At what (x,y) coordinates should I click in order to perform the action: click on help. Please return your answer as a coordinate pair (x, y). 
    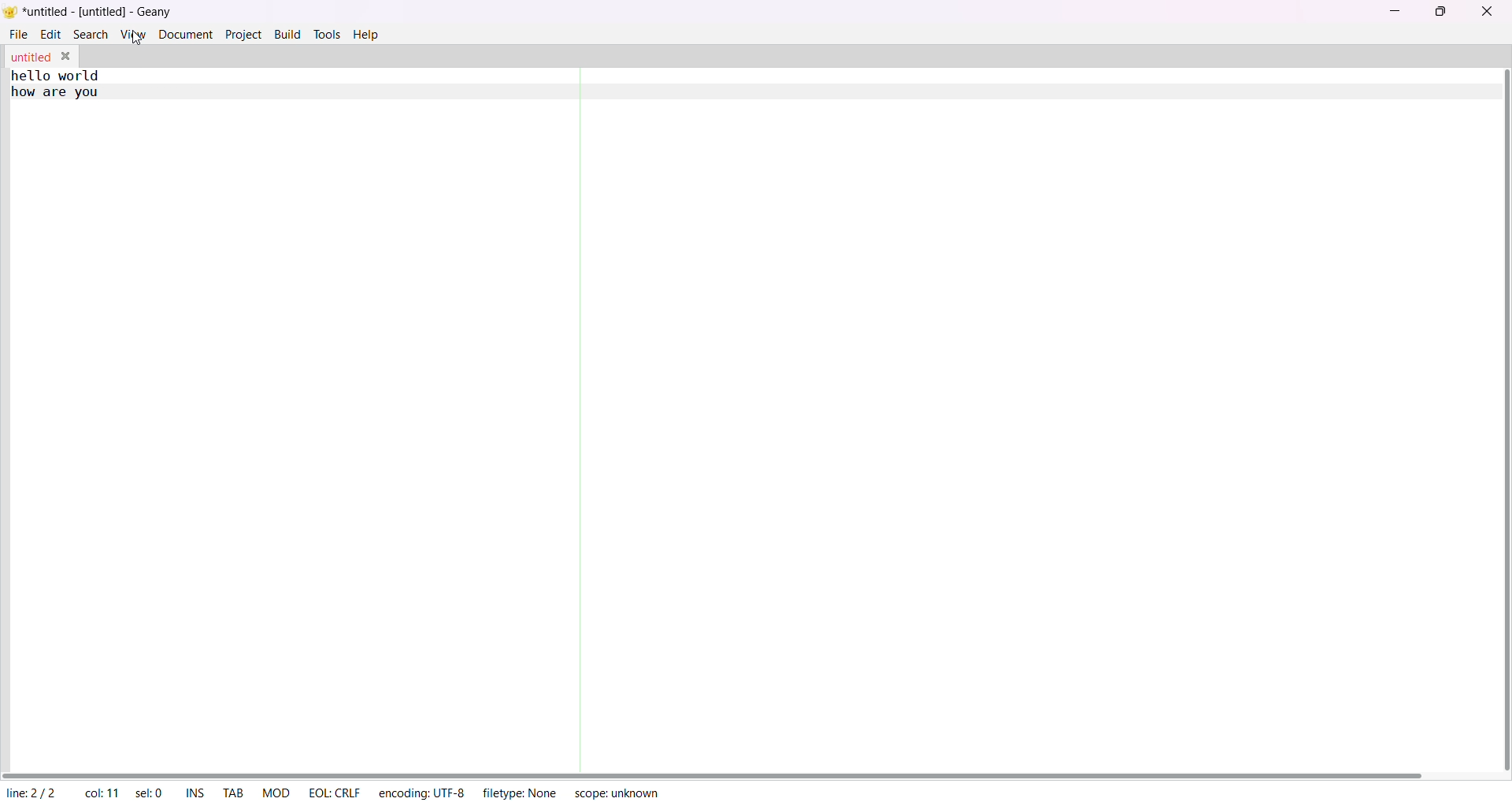
    Looking at the image, I should click on (366, 35).